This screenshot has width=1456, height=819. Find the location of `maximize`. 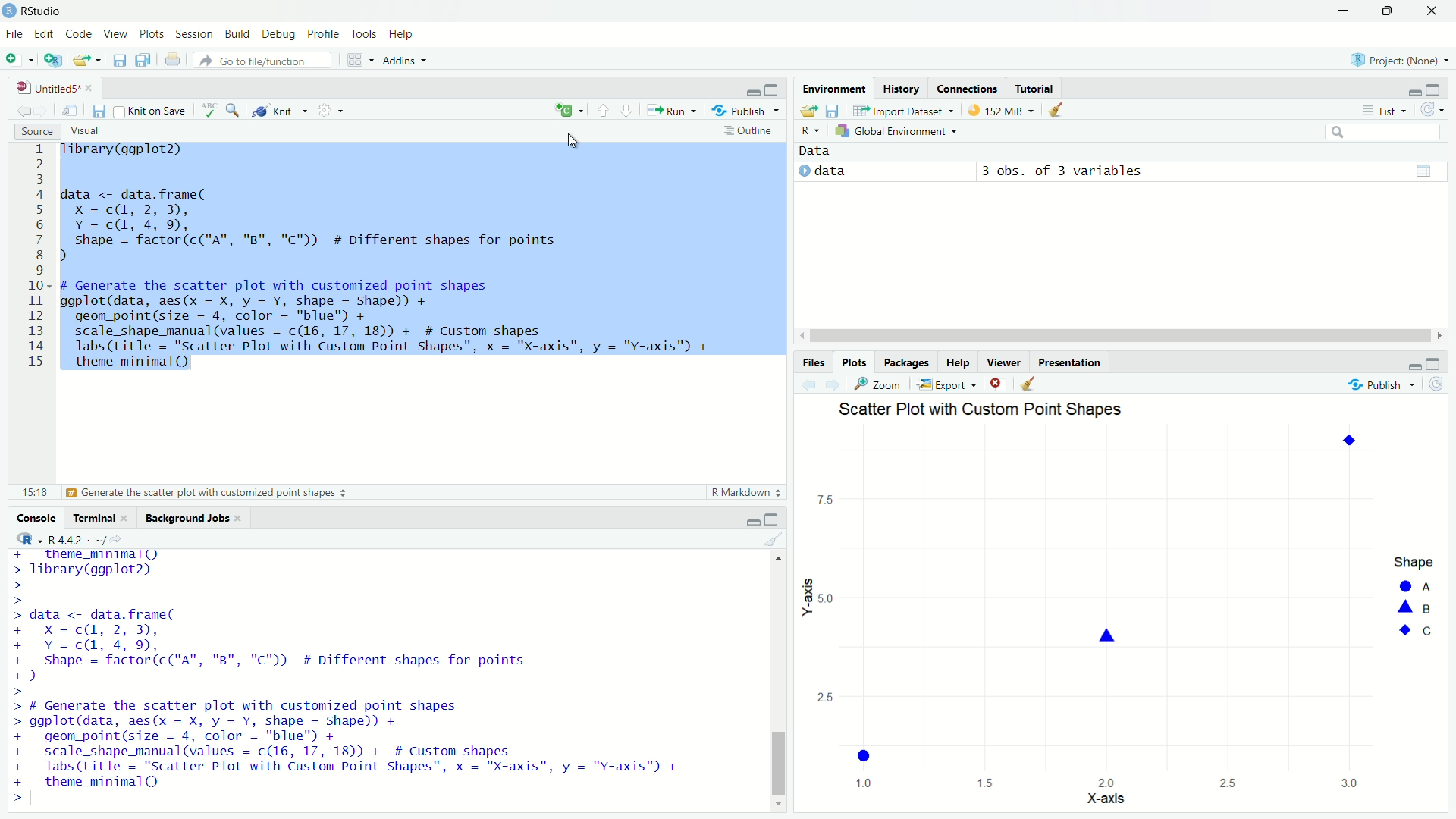

maximize is located at coordinates (772, 519).